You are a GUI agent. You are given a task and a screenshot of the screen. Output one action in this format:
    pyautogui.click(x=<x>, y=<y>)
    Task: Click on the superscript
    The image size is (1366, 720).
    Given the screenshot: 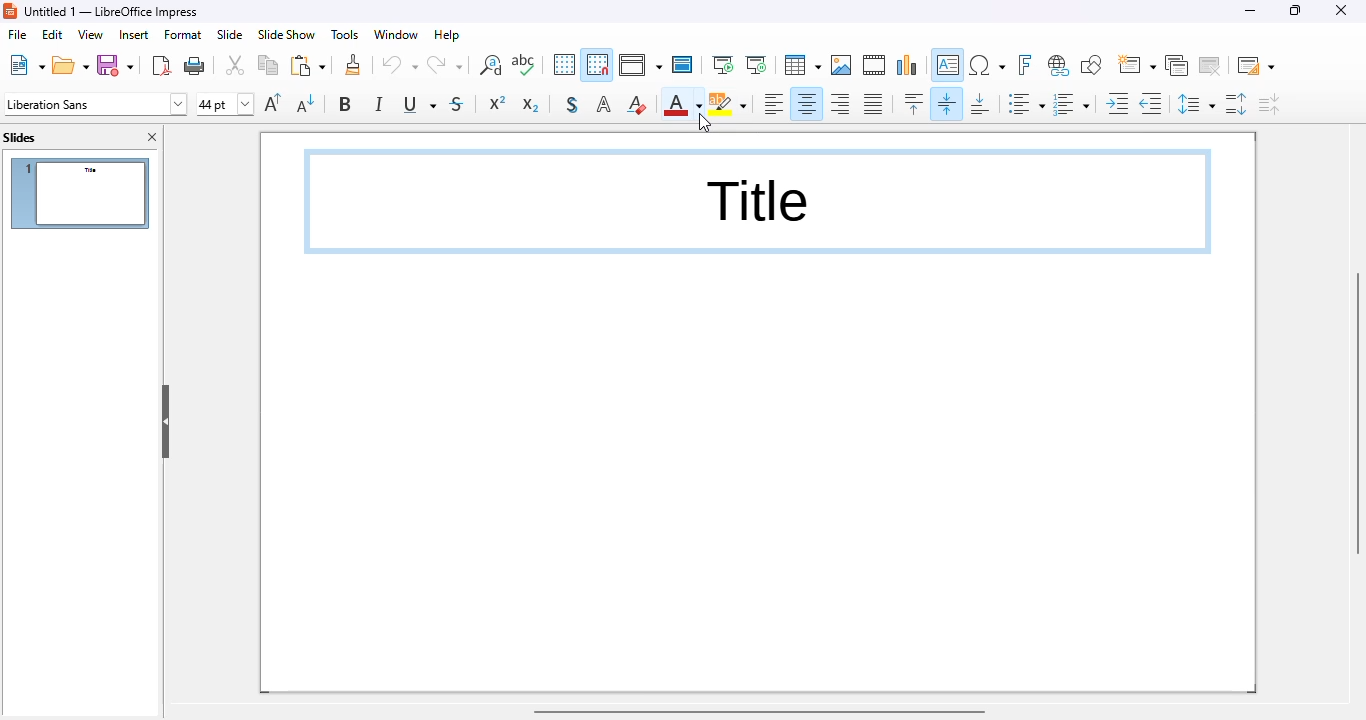 What is the action you would take?
    pyautogui.click(x=498, y=103)
    